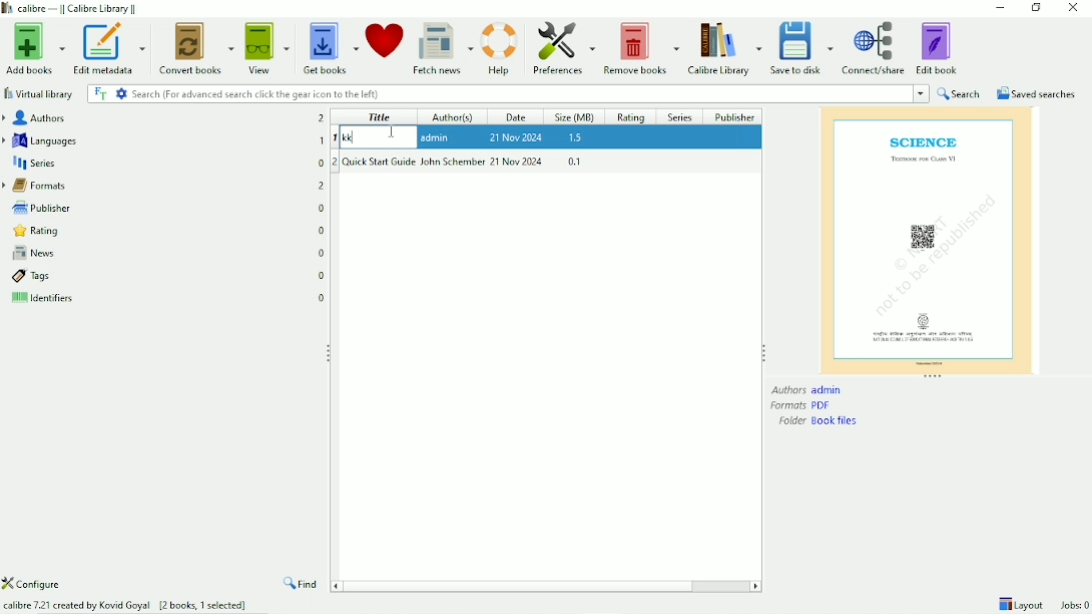  What do you see at coordinates (379, 161) in the screenshot?
I see `Quick Start Guide` at bounding box center [379, 161].